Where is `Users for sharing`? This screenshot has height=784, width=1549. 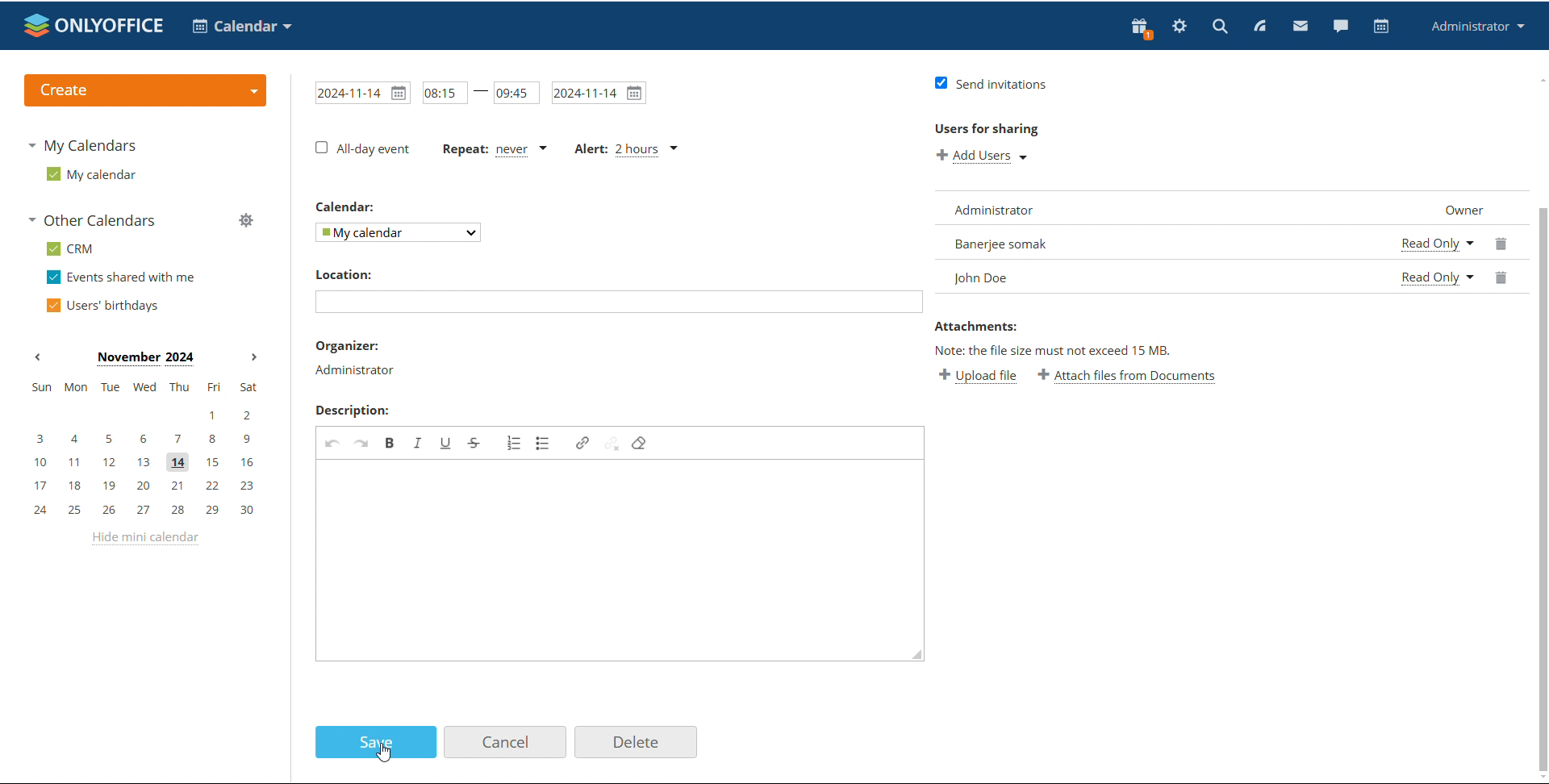
Users for sharing is located at coordinates (987, 128).